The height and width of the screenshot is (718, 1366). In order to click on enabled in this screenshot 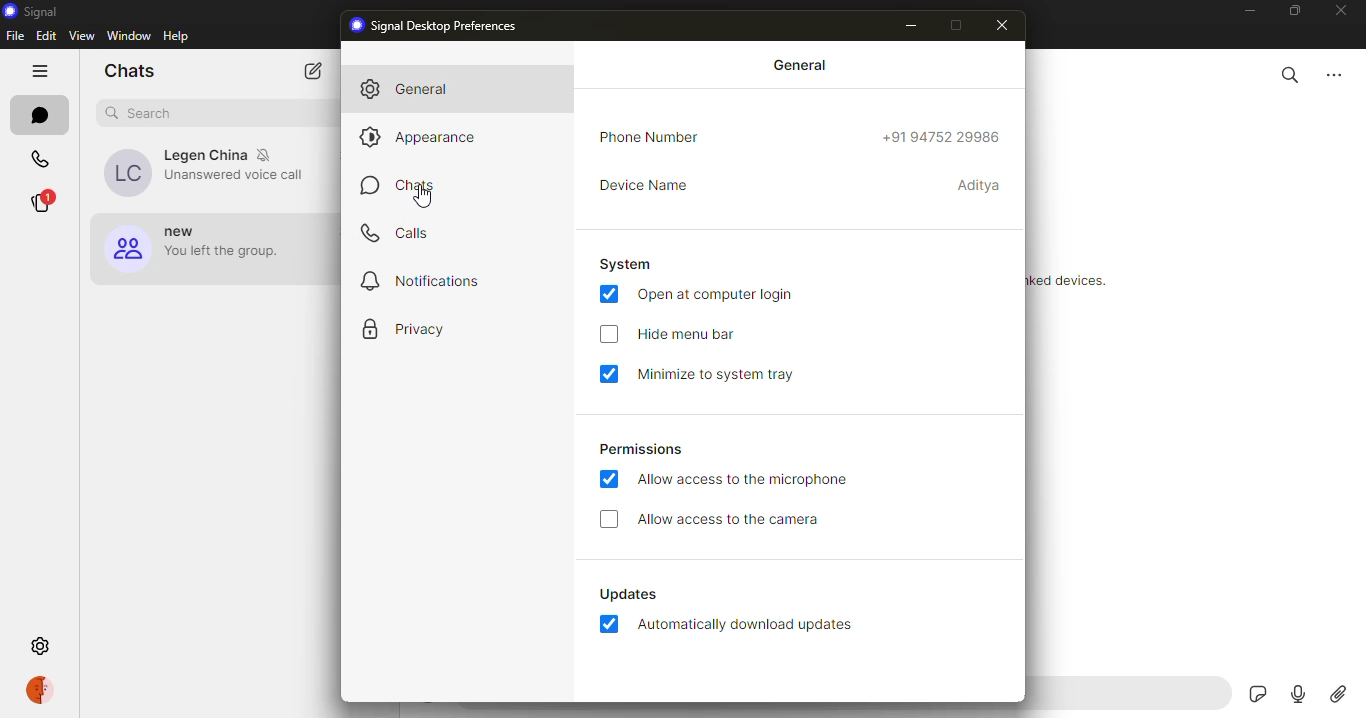, I will do `click(606, 373)`.